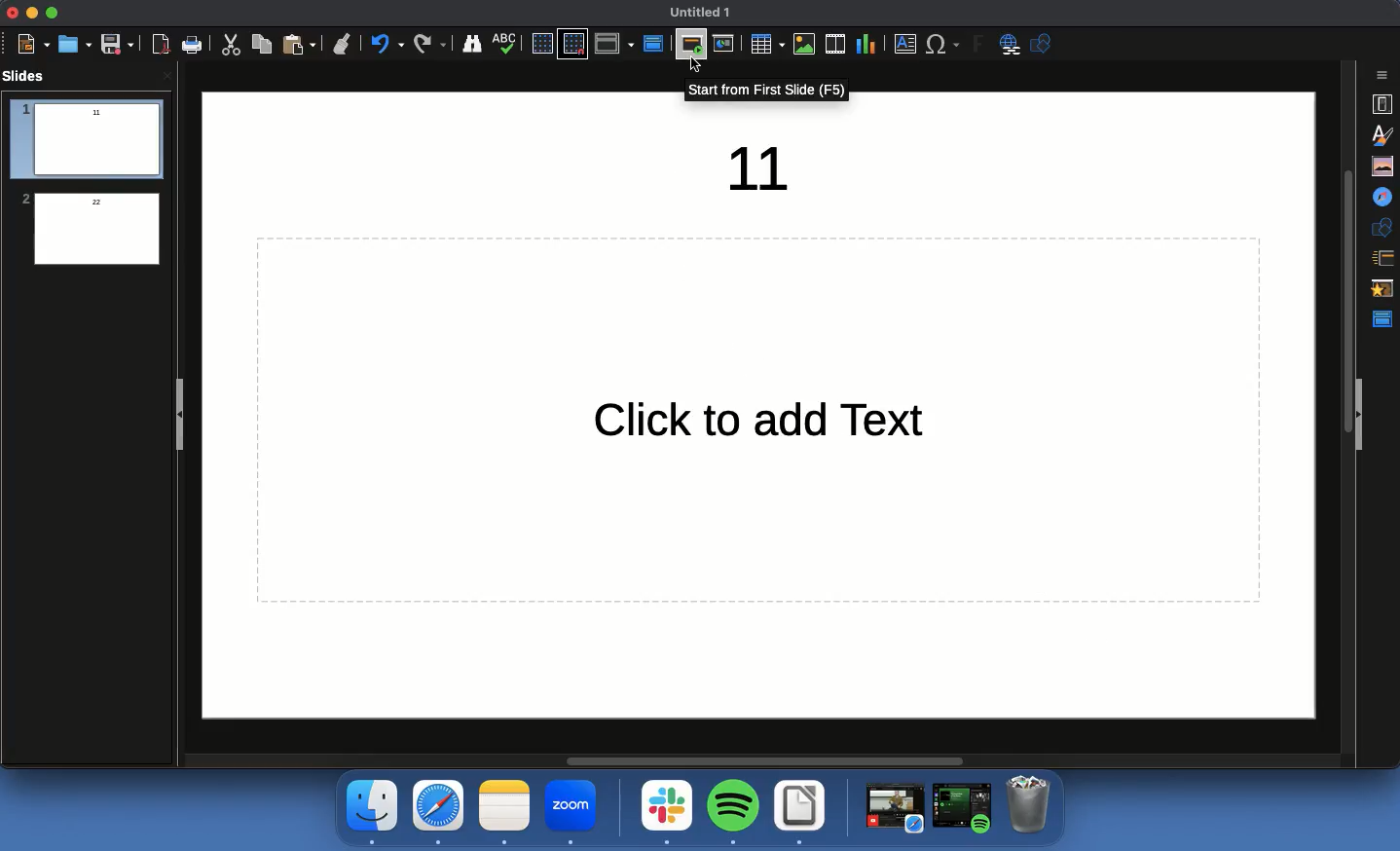  I want to click on Undo, so click(427, 44).